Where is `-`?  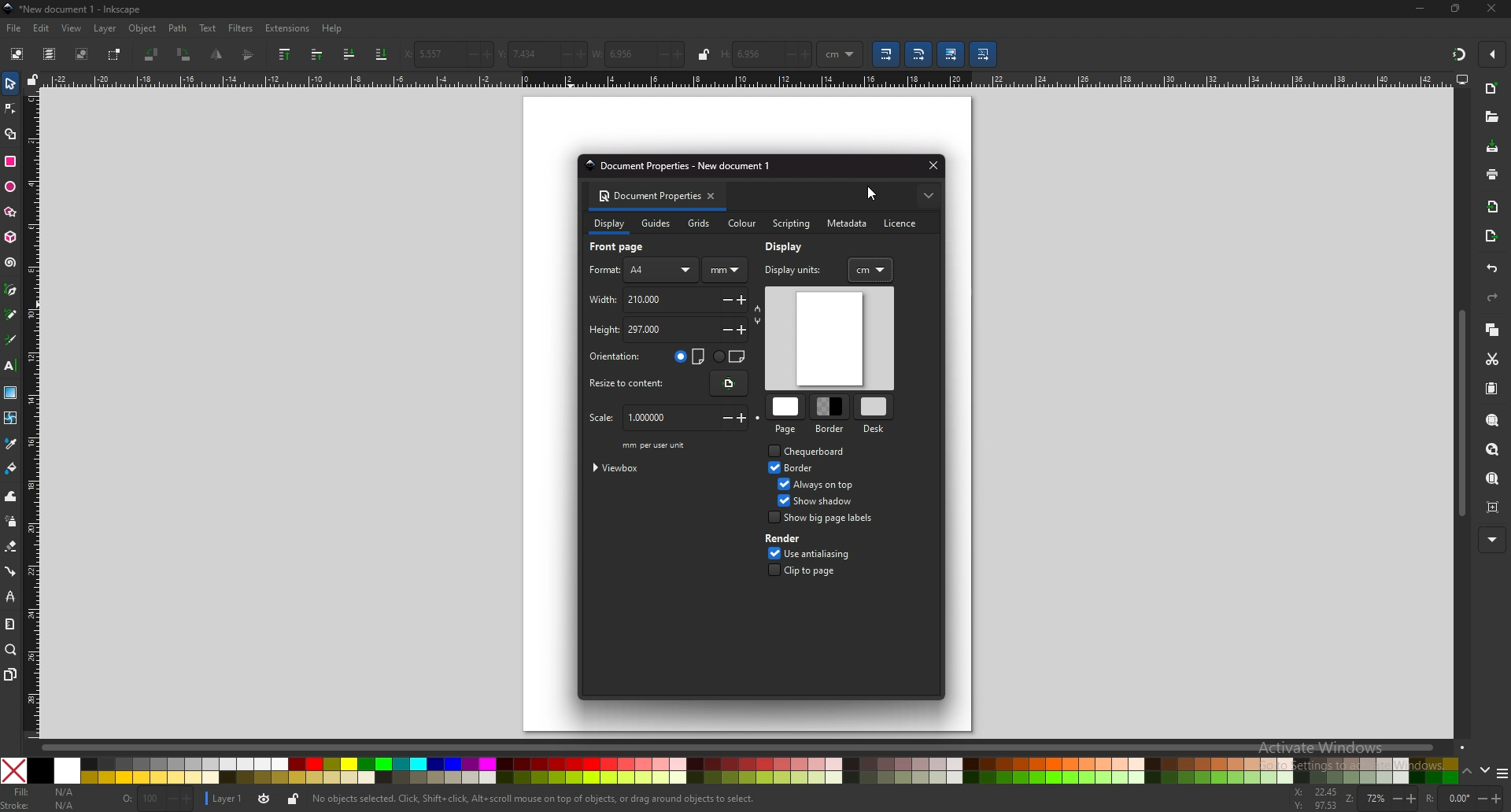
- is located at coordinates (1478, 798).